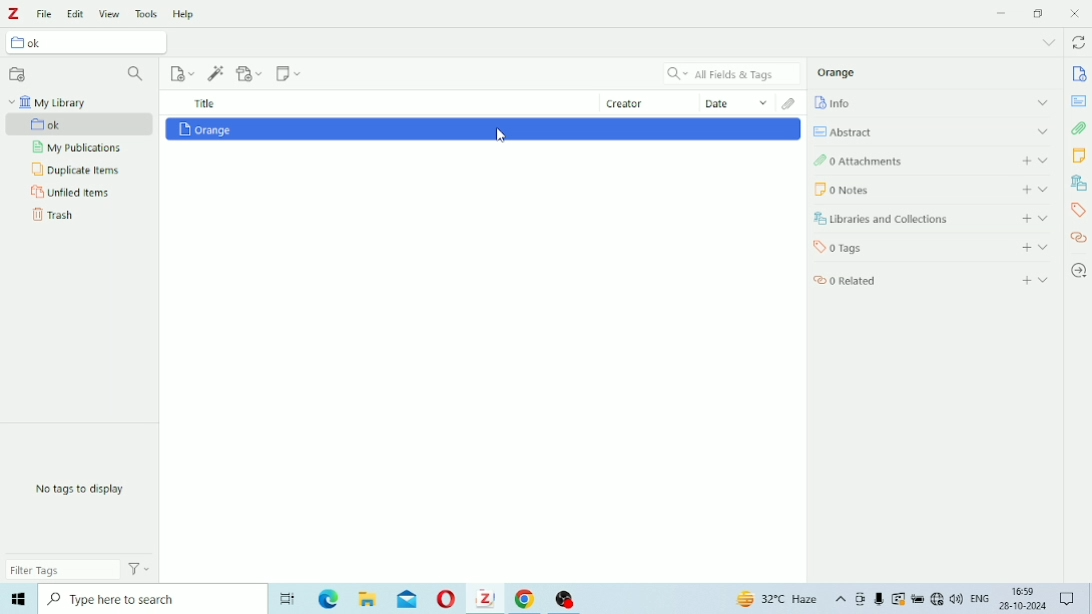 The width and height of the screenshot is (1092, 614). I want to click on Title, so click(205, 103).